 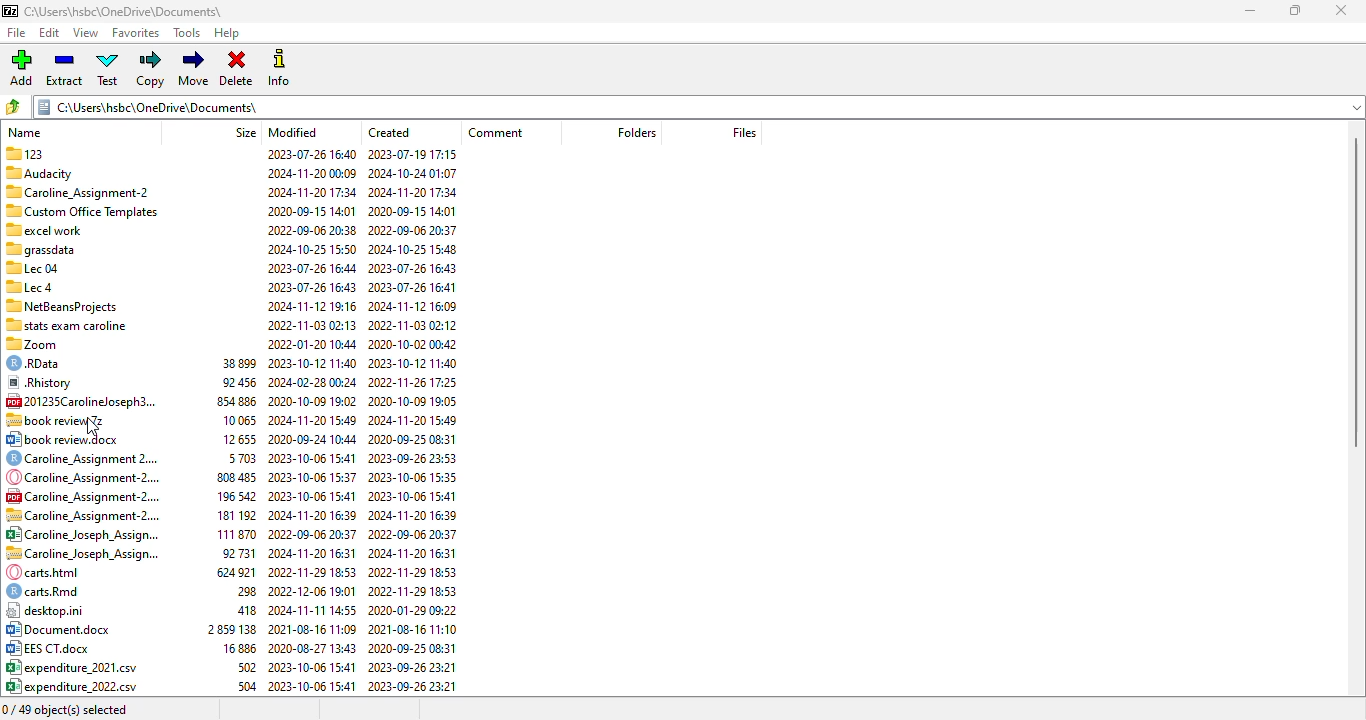 What do you see at coordinates (26, 129) in the screenshot?
I see `name` at bounding box center [26, 129].